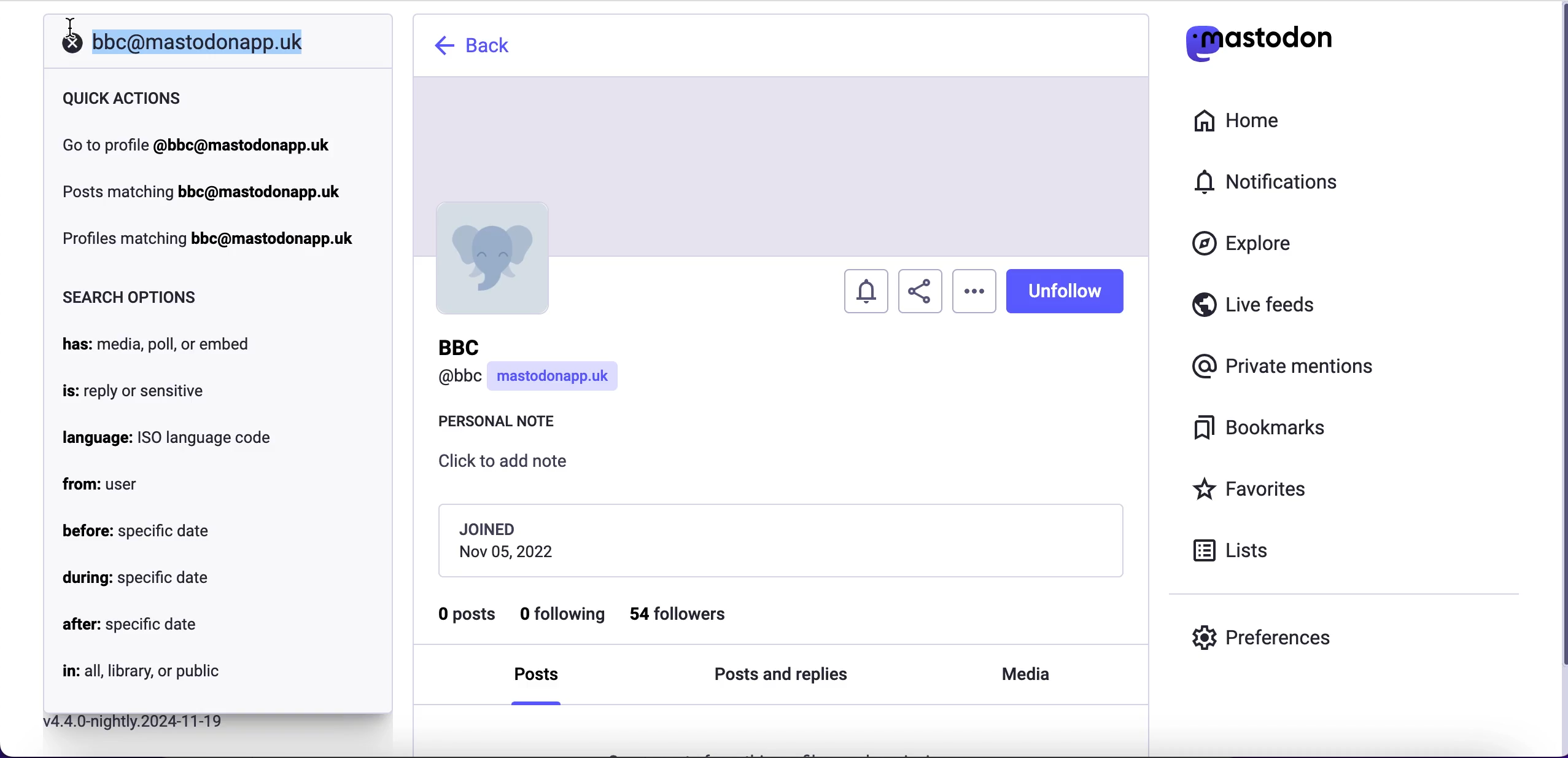  What do you see at coordinates (867, 287) in the screenshot?
I see `turn notifications on` at bounding box center [867, 287].